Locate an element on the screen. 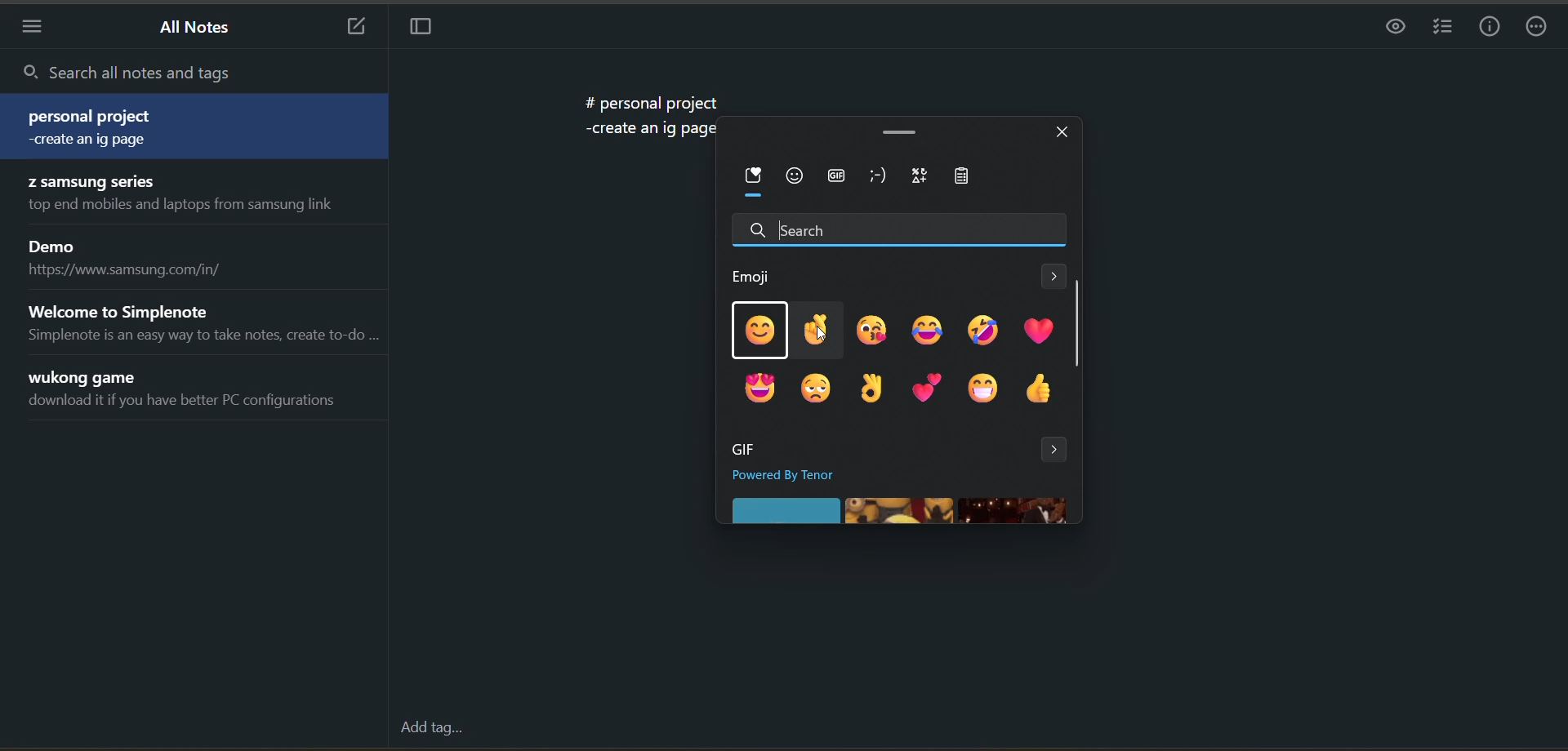 Image resolution: width=1568 pixels, height=751 pixels. see more is located at coordinates (1057, 453).